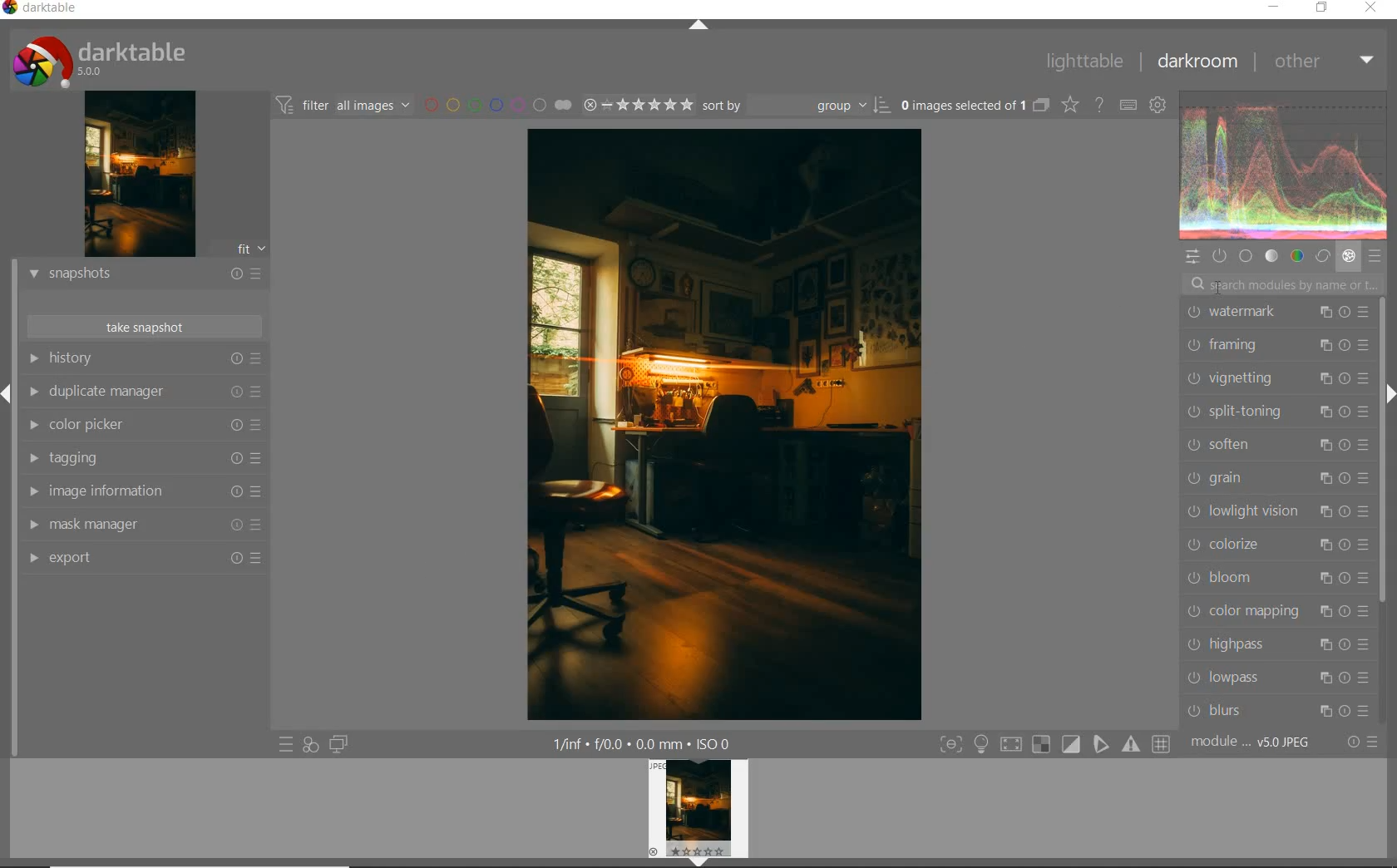  What do you see at coordinates (141, 424) in the screenshot?
I see `color picker` at bounding box center [141, 424].